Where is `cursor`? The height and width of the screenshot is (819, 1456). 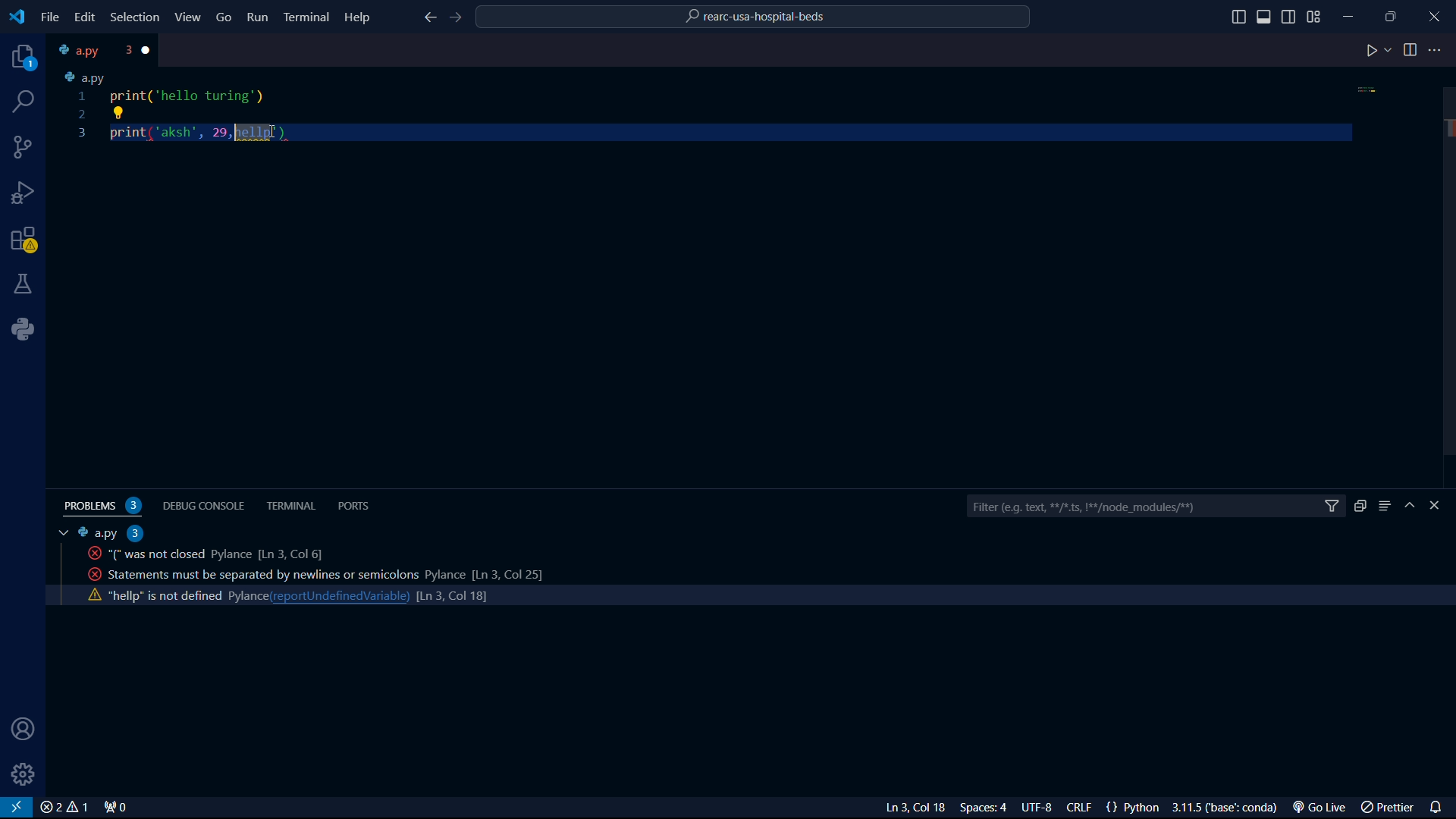
cursor is located at coordinates (261, 136).